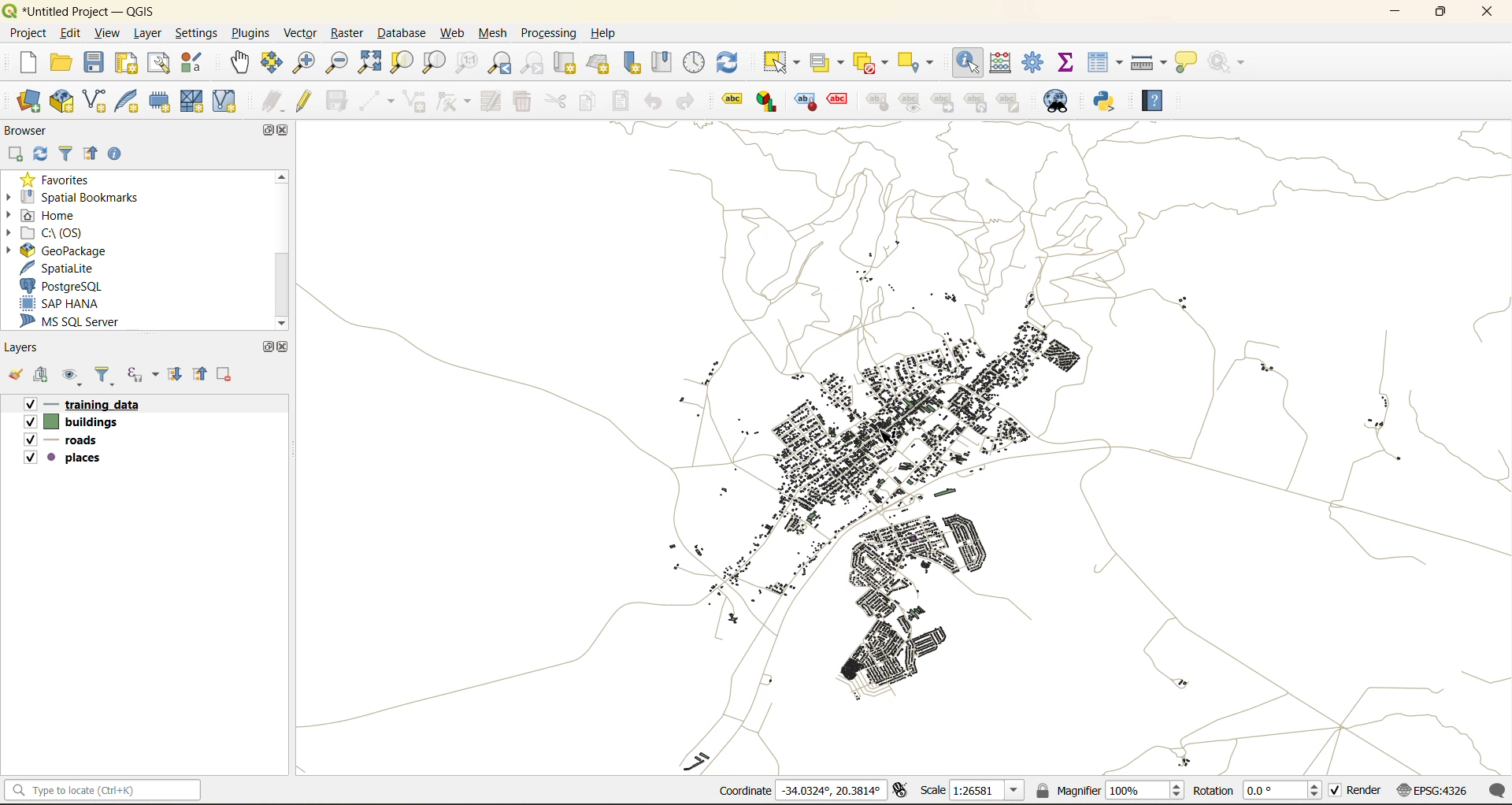 This screenshot has width=1512, height=805. What do you see at coordinates (95, 102) in the screenshot?
I see `new shapefile layer` at bounding box center [95, 102].